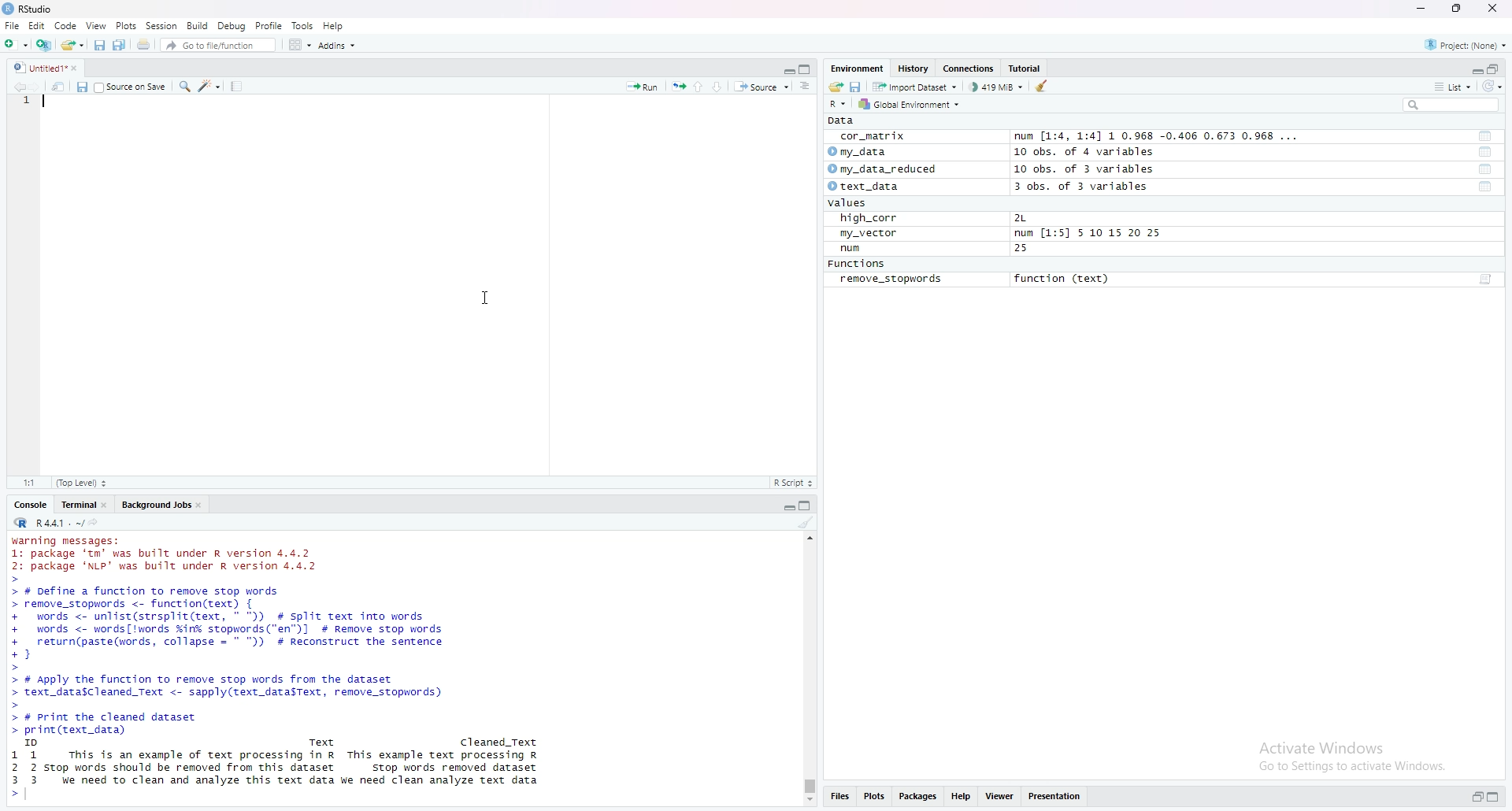  I want to click on remove_stopwords function (text), so click(973, 280).